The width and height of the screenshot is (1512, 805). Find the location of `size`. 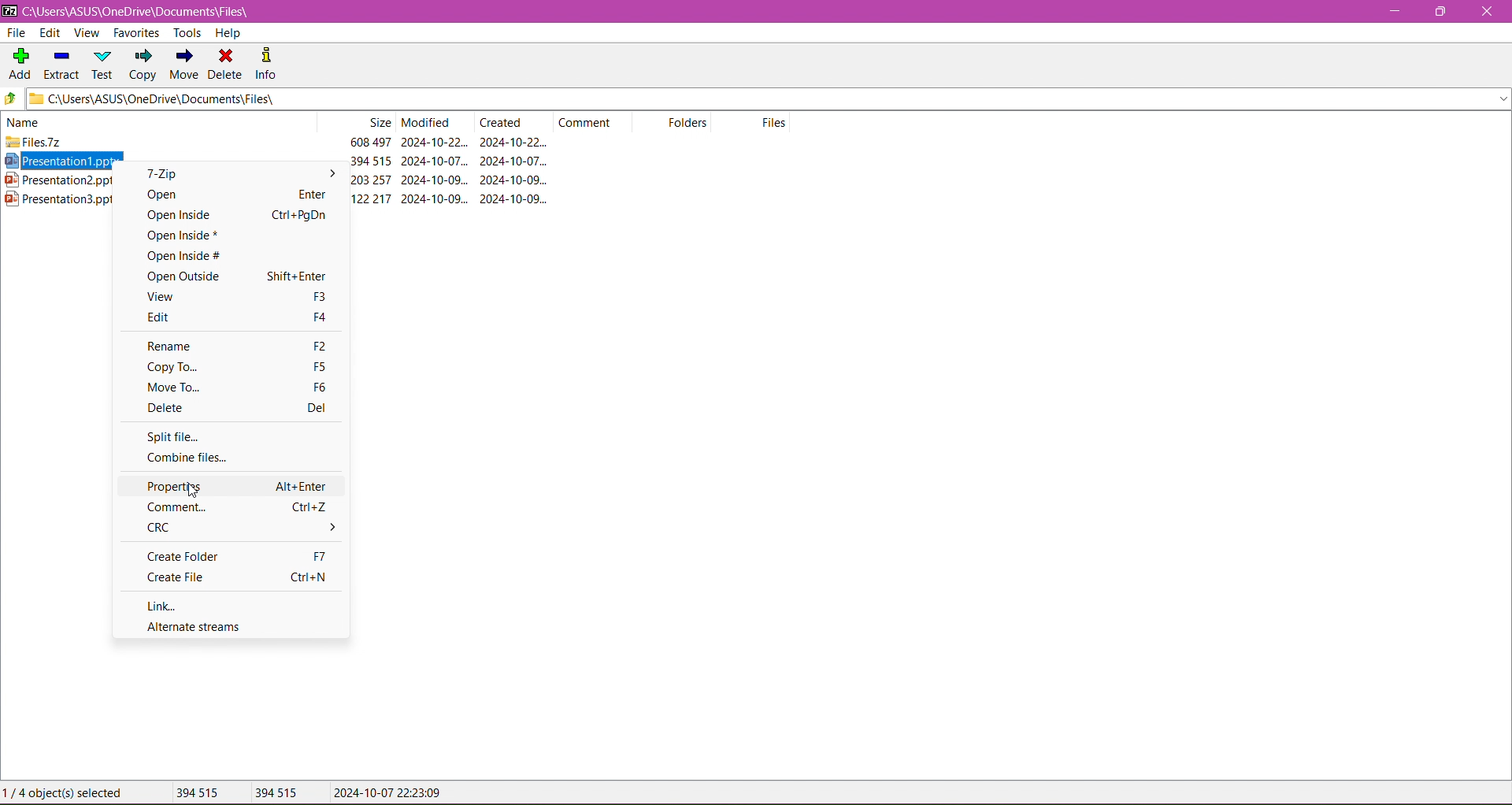

size is located at coordinates (378, 122).